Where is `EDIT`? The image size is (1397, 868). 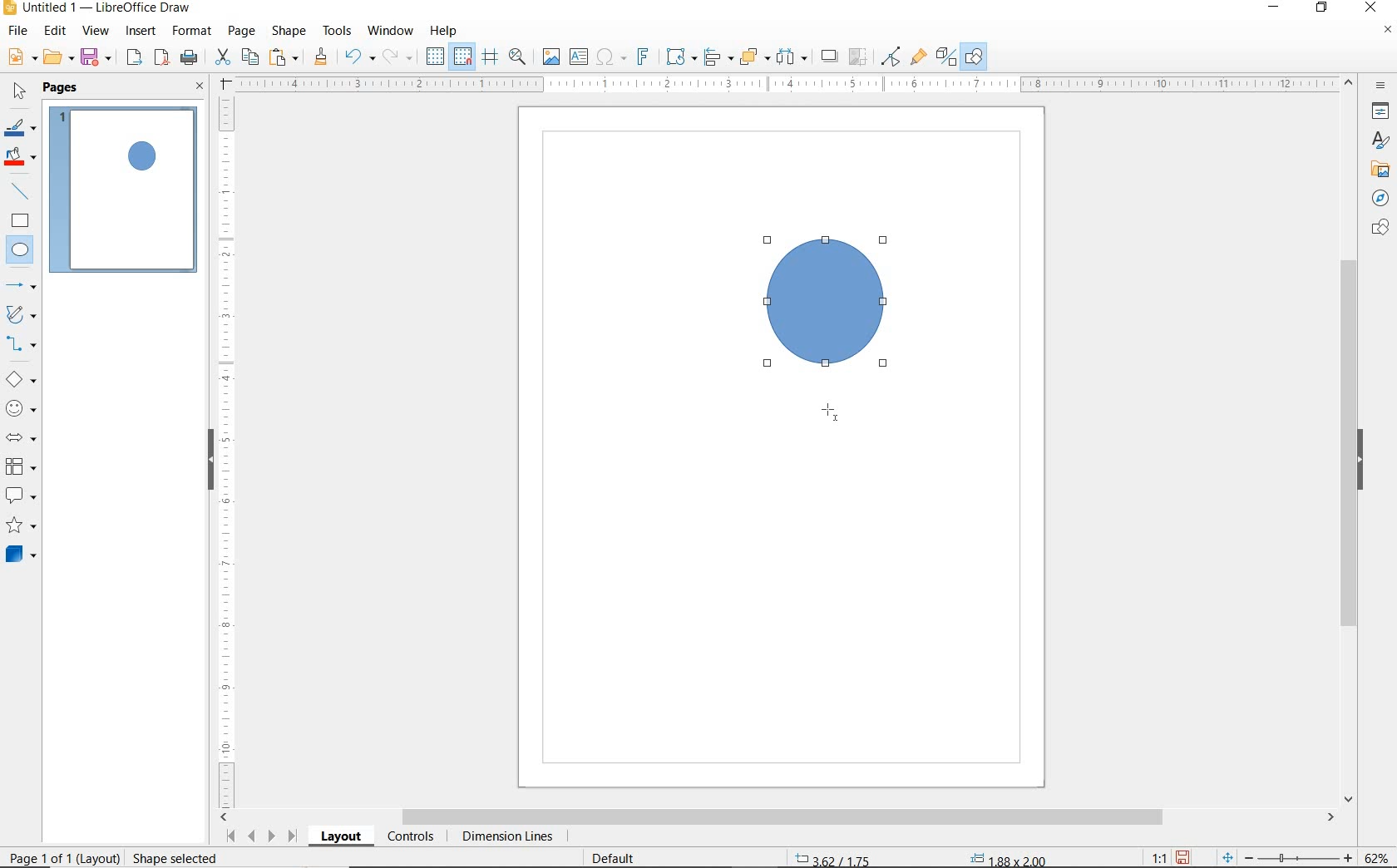
EDIT is located at coordinates (56, 31).